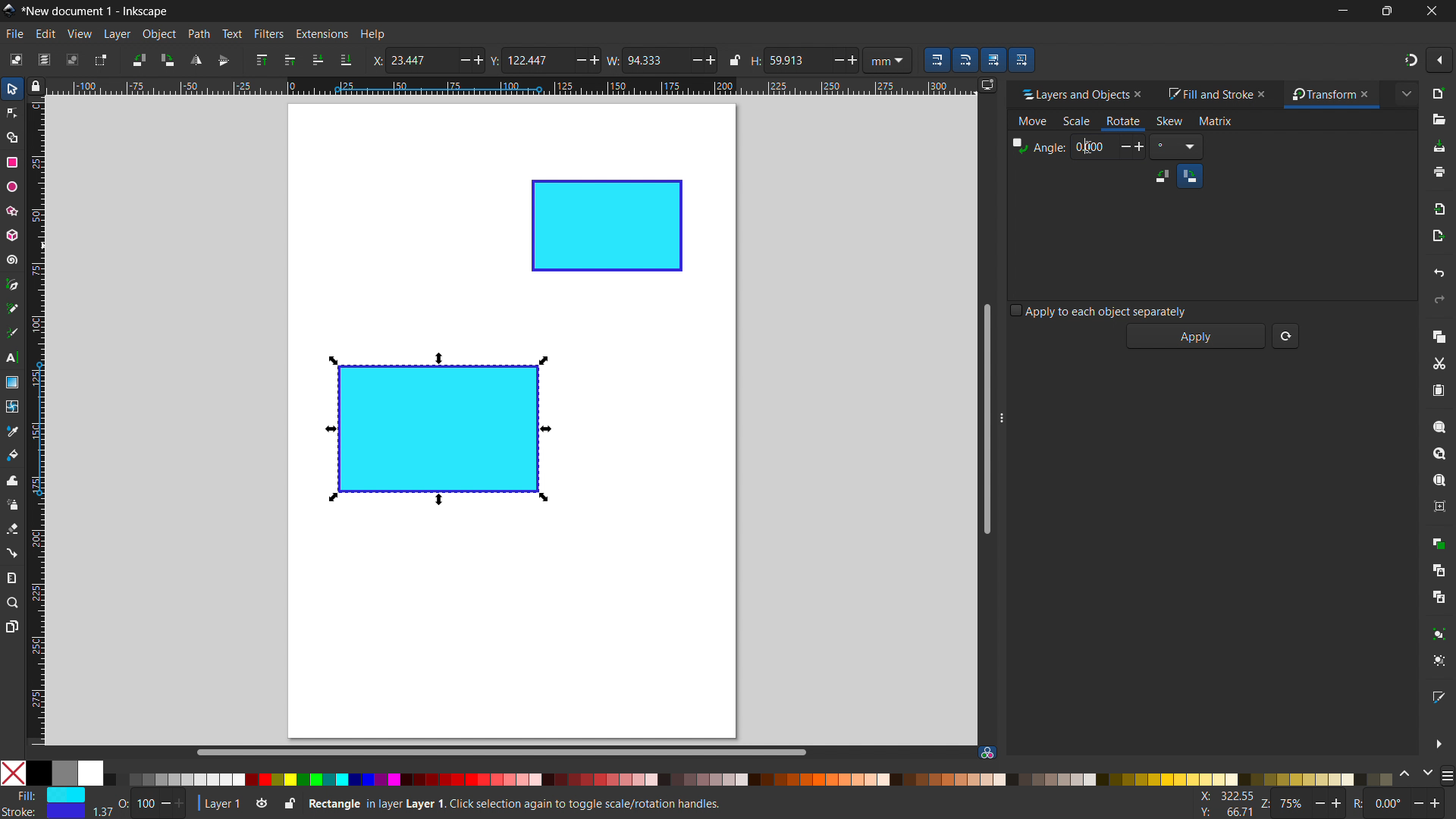 The image size is (1456, 819). I want to click on ellipse tool, so click(11, 186).